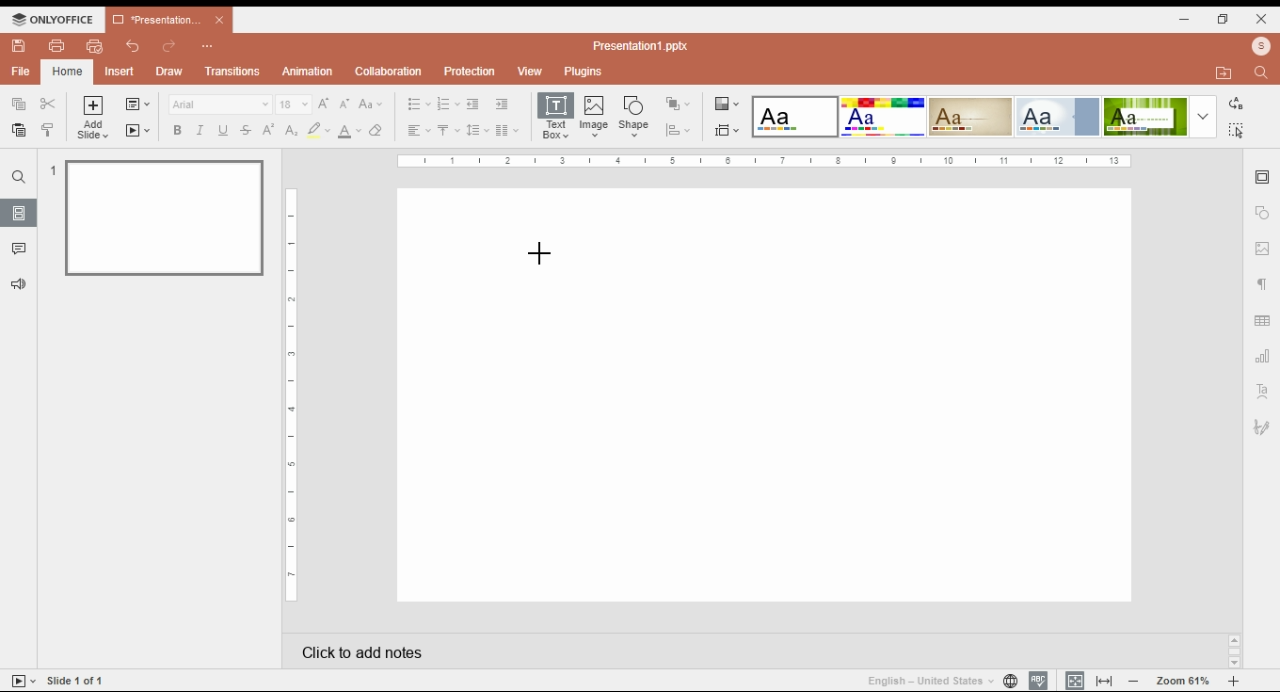  Describe the element at coordinates (220, 104) in the screenshot. I see `font` at that location.